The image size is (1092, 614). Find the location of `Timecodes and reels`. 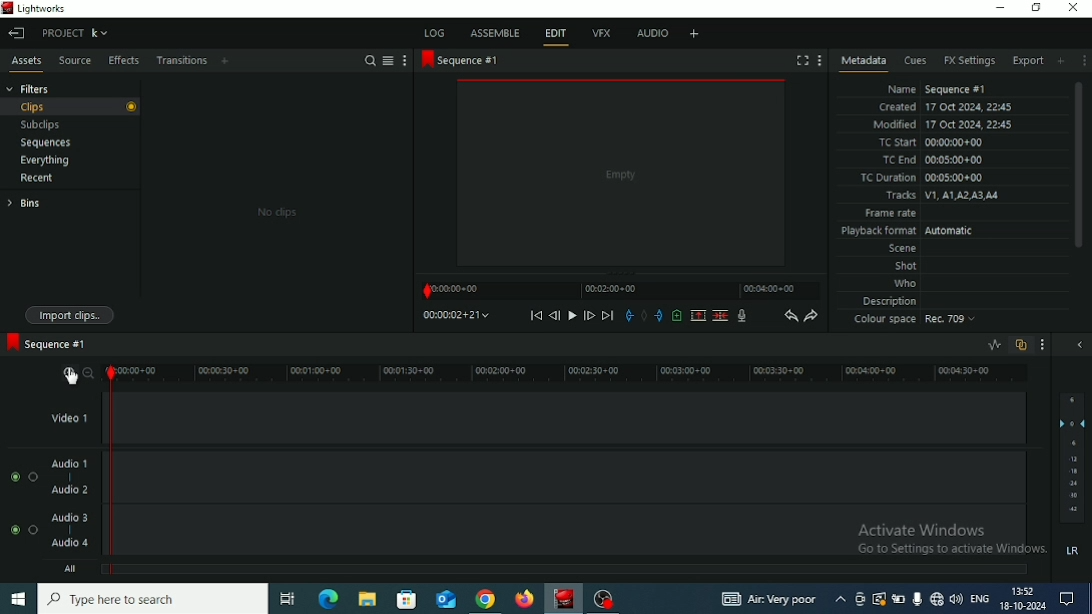

Timecodes and reels is located at coordinates (457, 315).